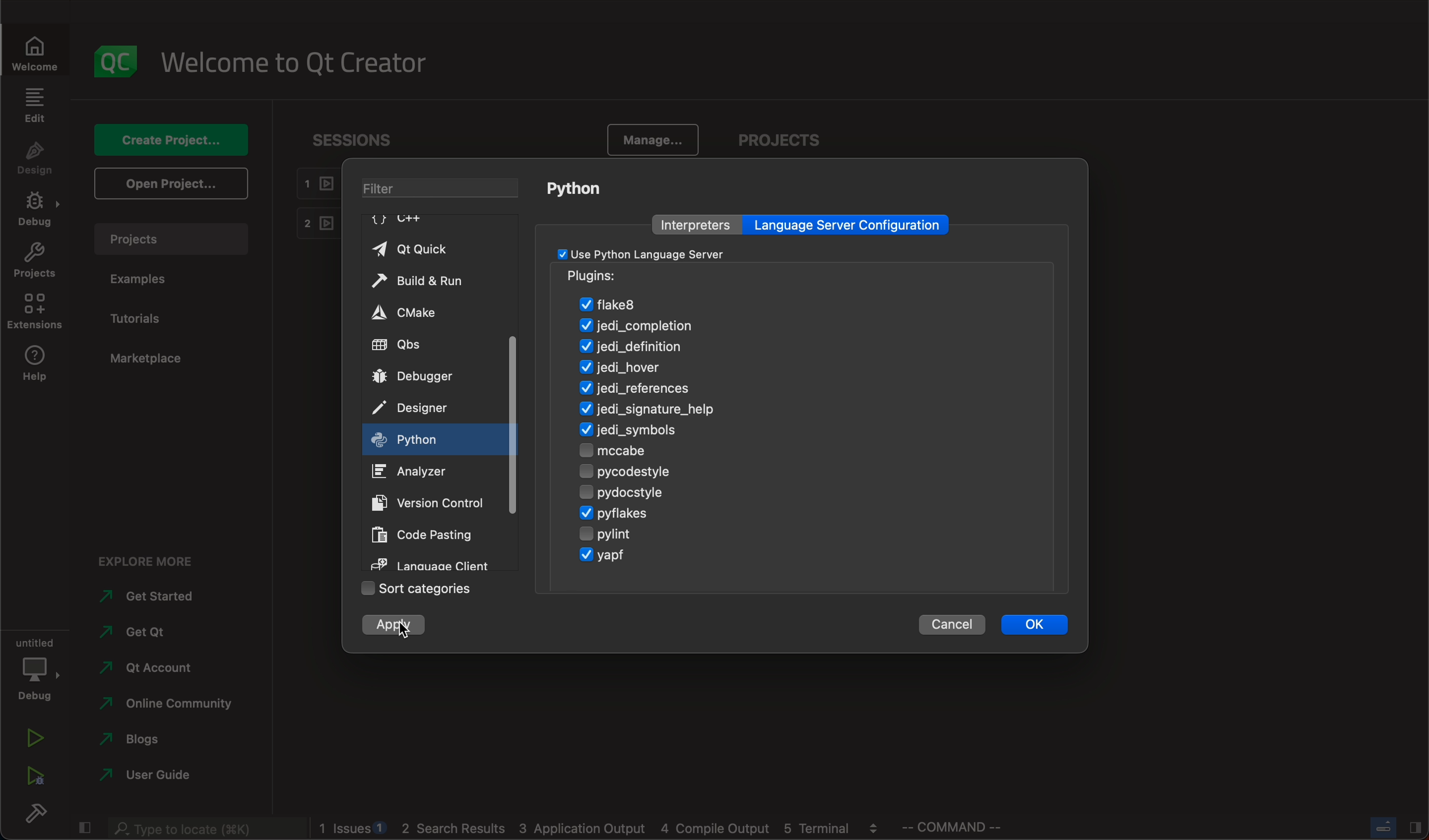  I want to click on projects, so click(171, 239).